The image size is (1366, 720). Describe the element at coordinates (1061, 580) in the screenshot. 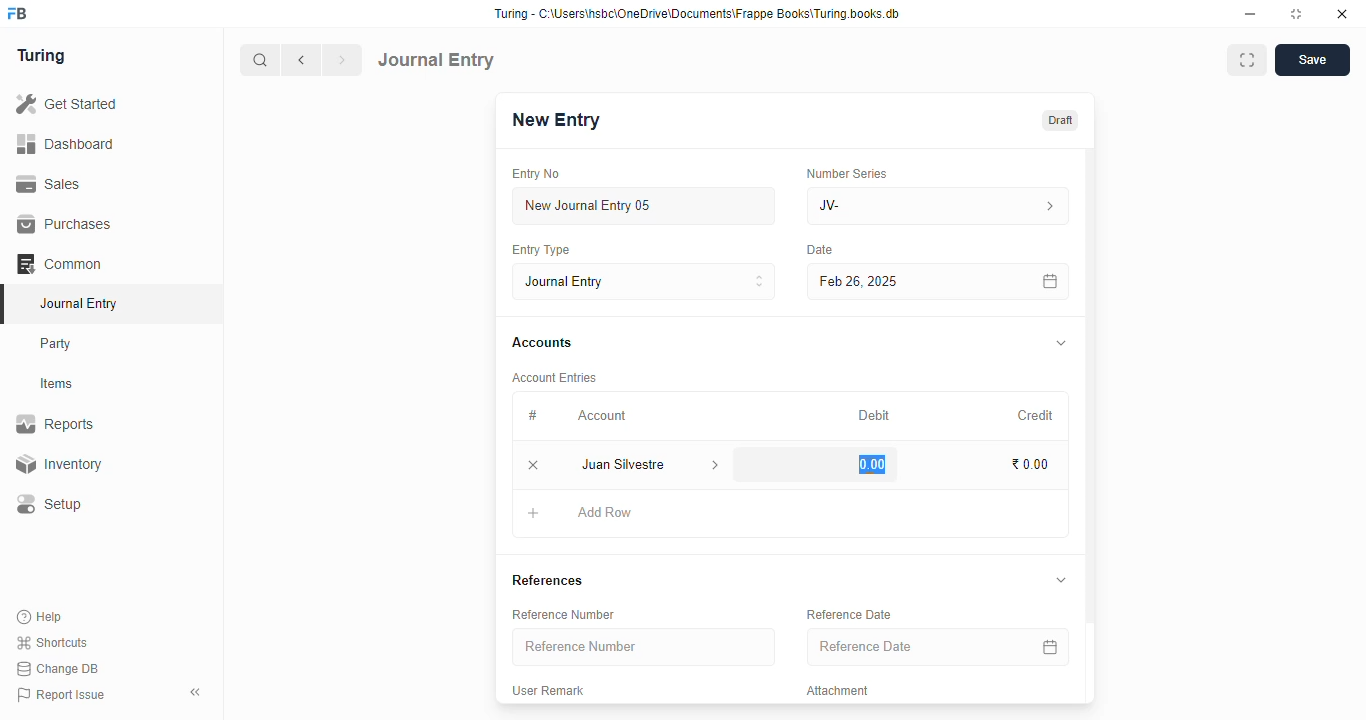

I see `toggle expand/collapse` at that location.